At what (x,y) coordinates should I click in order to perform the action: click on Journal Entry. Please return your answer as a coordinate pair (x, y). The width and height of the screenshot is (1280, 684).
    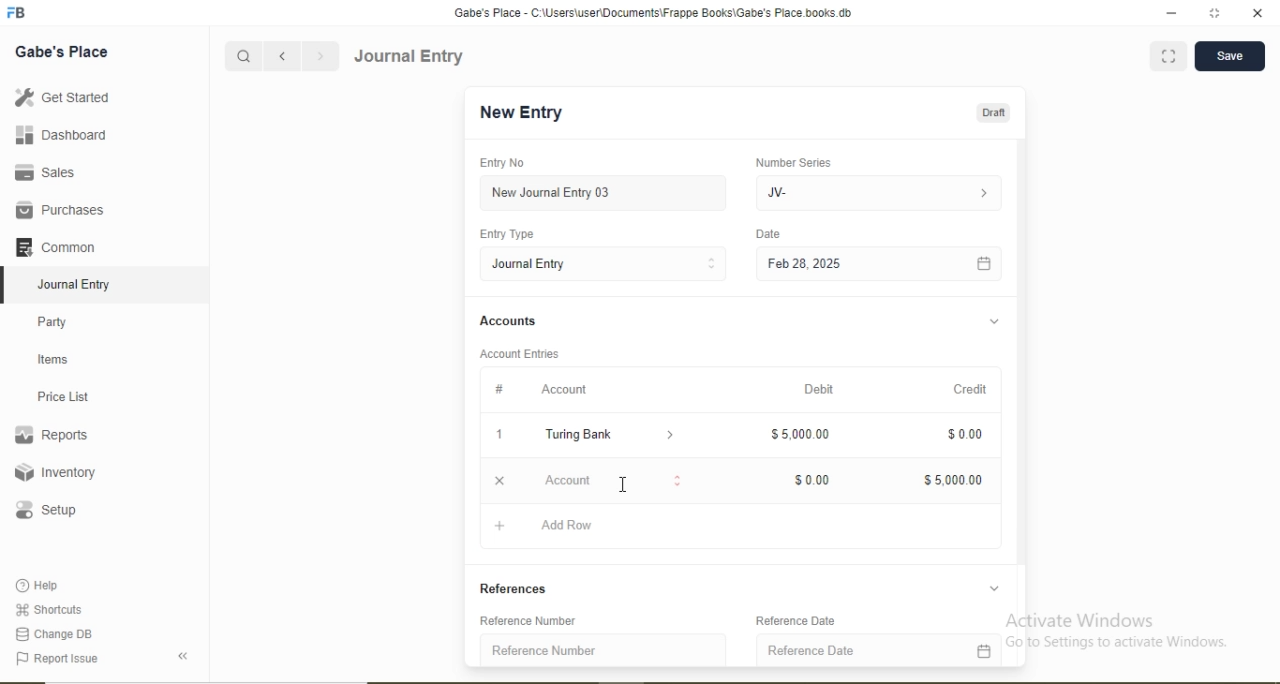
    Looking at the image, I should click on (76, 285).